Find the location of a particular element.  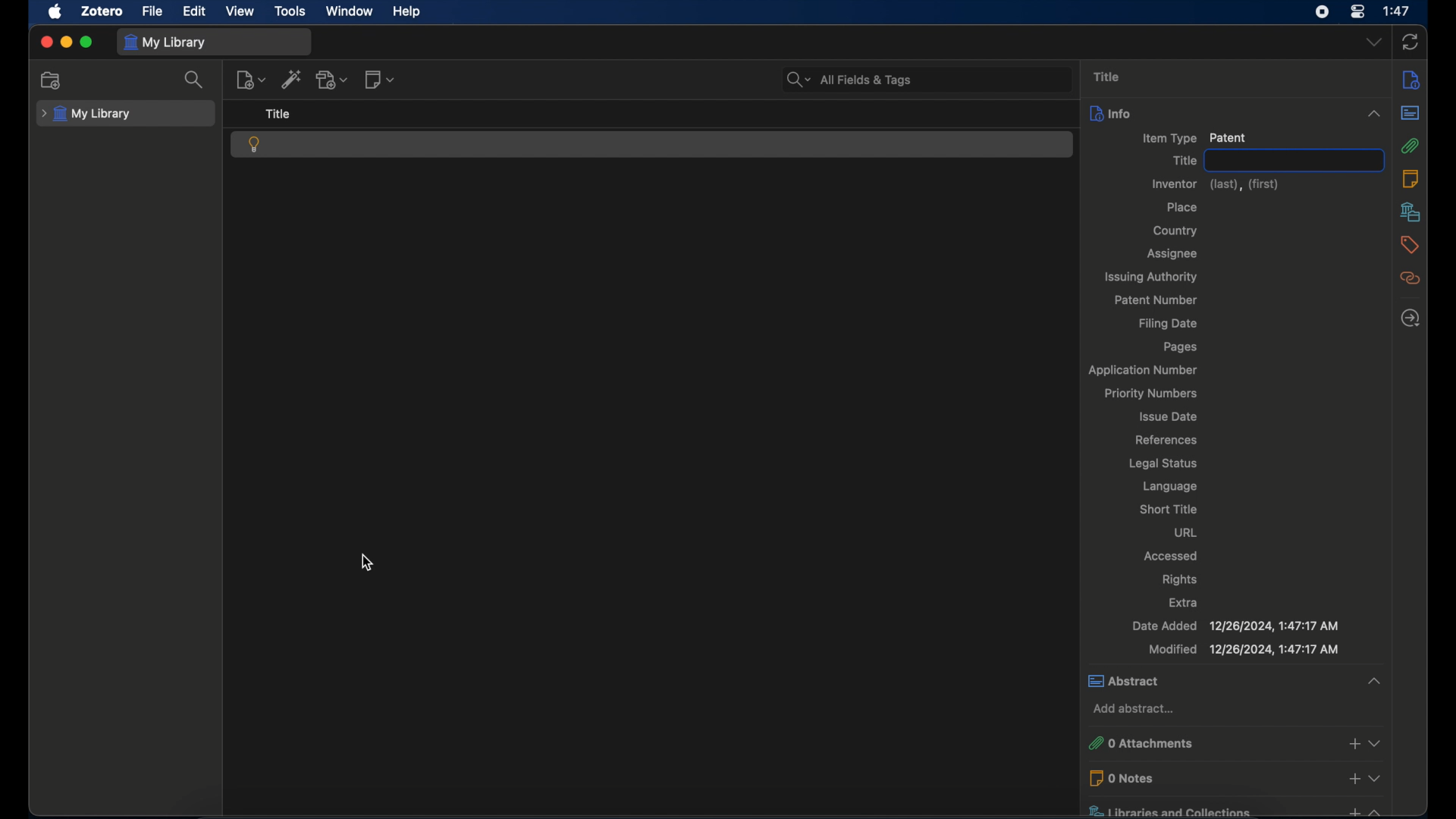

tools is located at coordinates (290, 11).